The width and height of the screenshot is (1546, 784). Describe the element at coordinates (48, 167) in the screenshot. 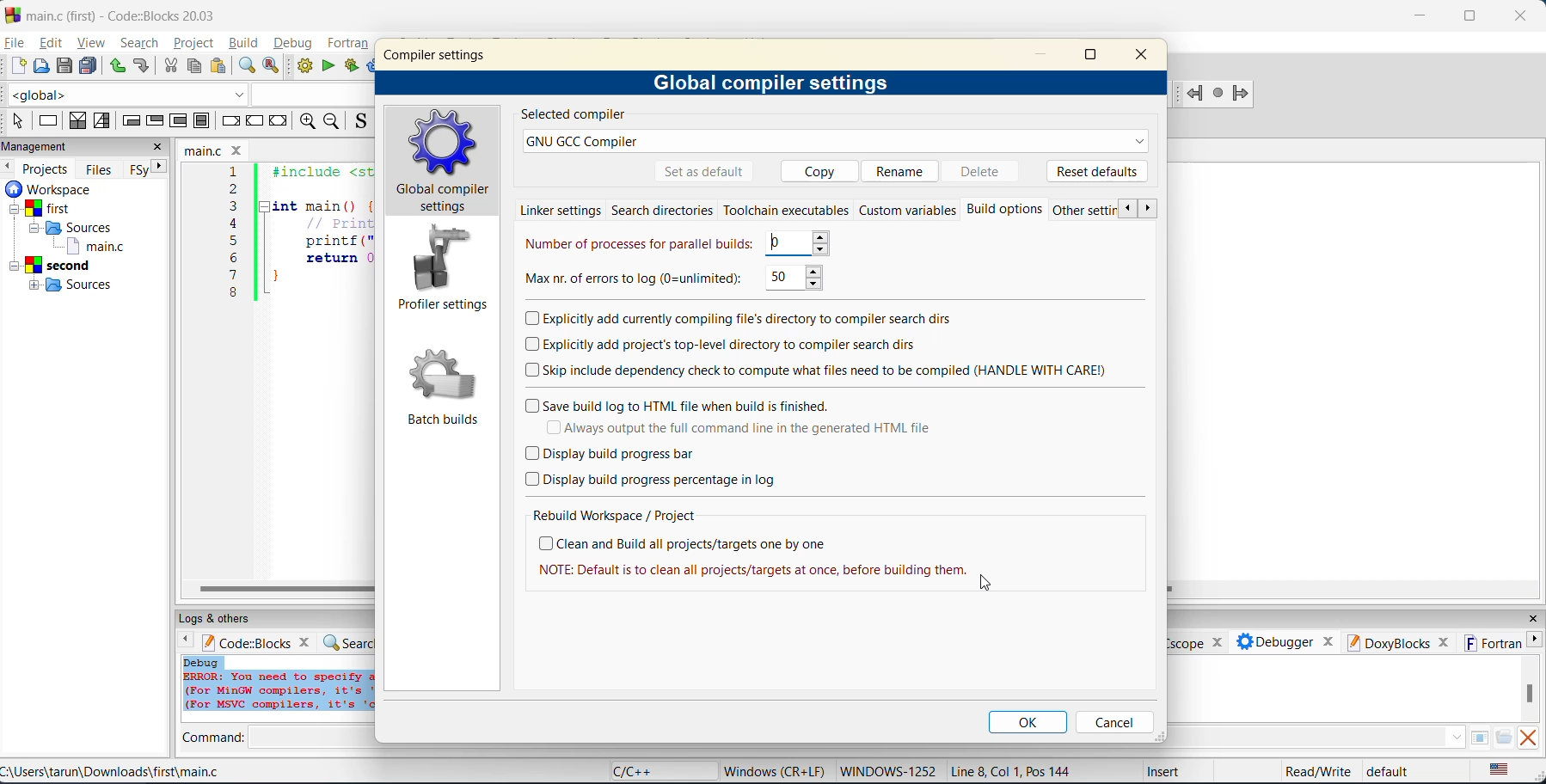

I see `projects` at that location.